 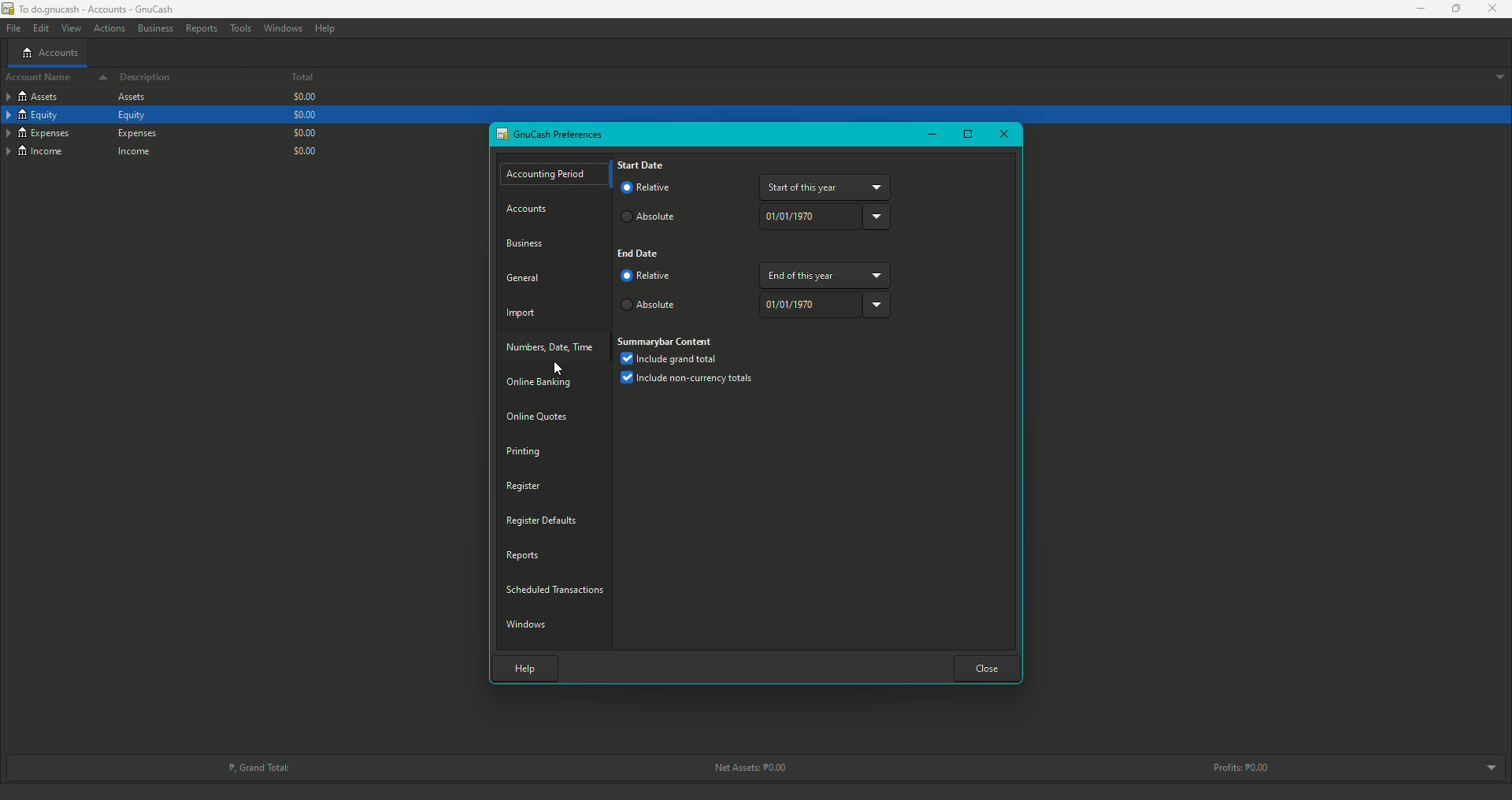 I want to click on Description, so click(x=146, y=78).